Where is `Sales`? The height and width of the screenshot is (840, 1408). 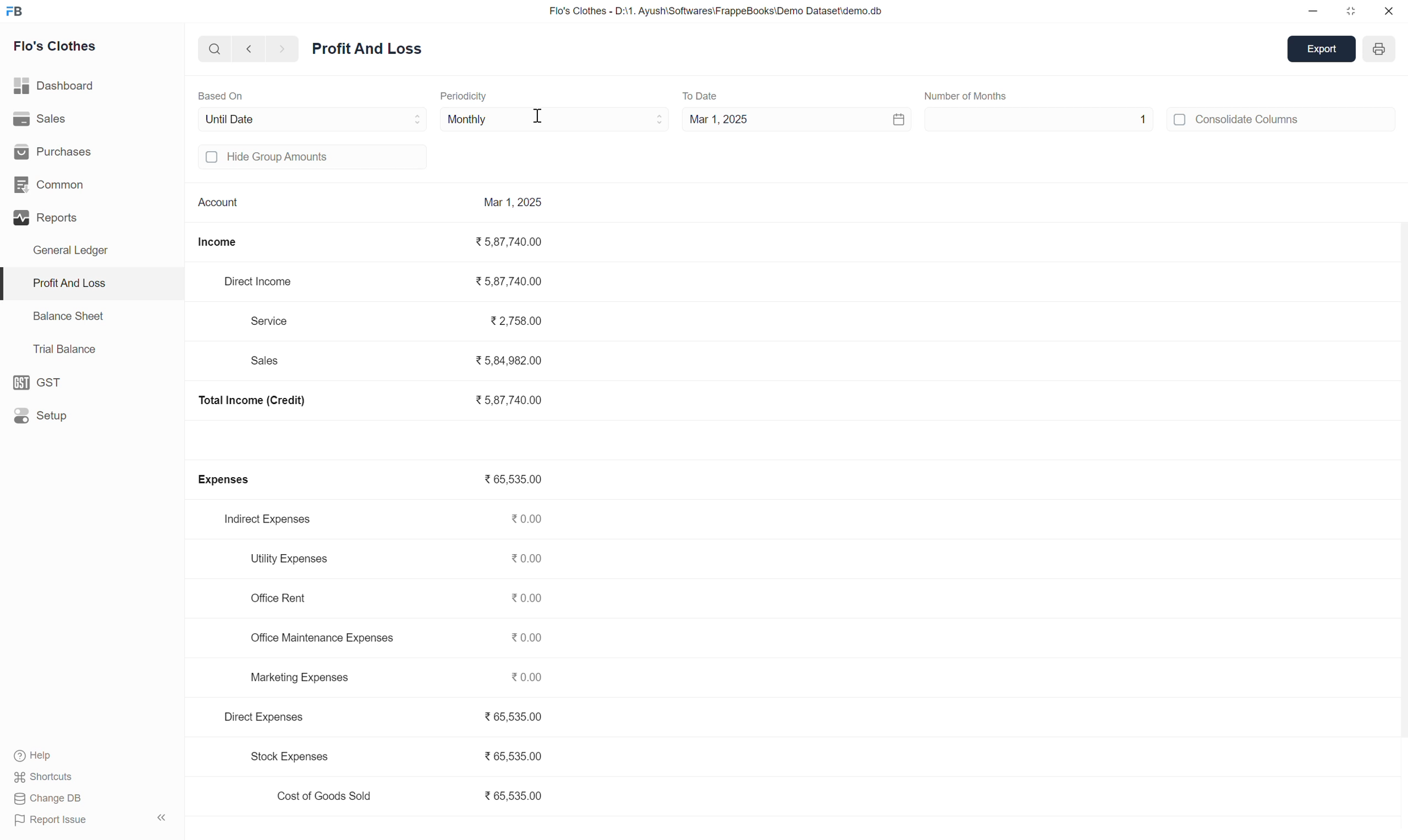
Sales is located at coordinates (270, 361).